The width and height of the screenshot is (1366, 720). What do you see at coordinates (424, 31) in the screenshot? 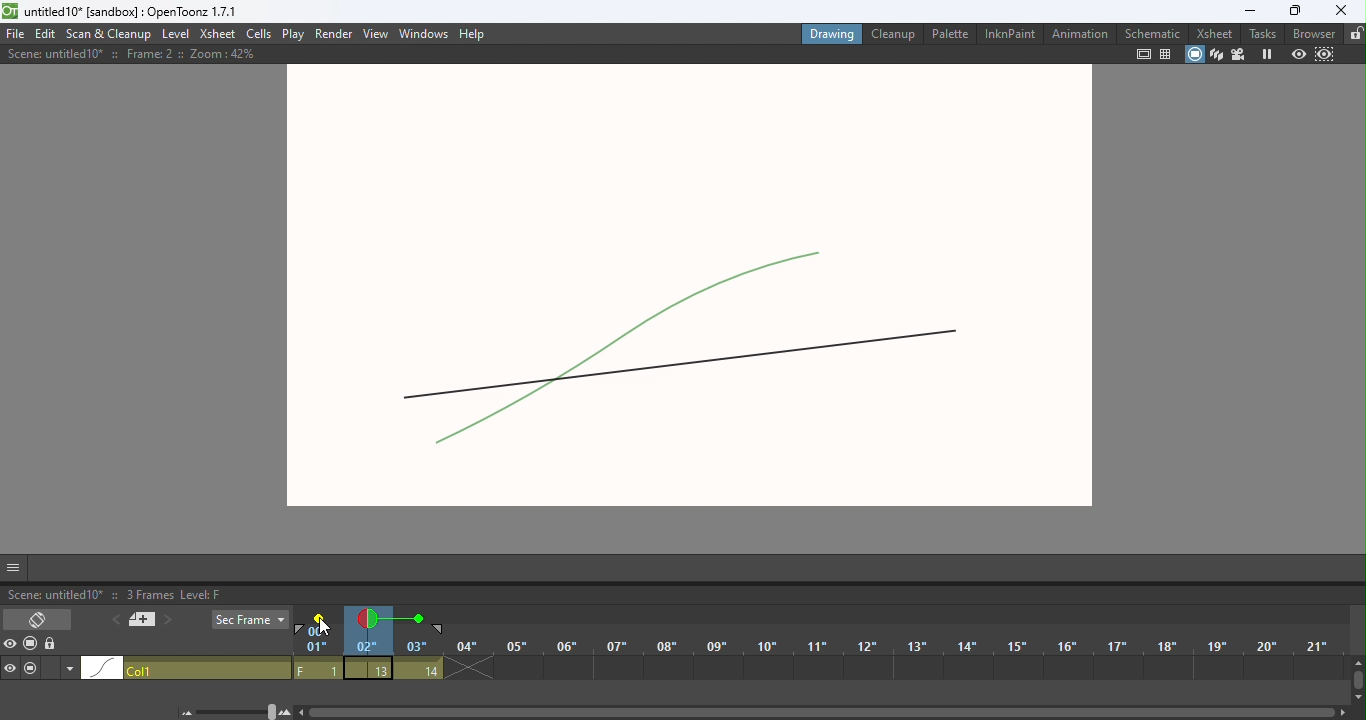
I see `Windows` at bounding box center [424, 31].